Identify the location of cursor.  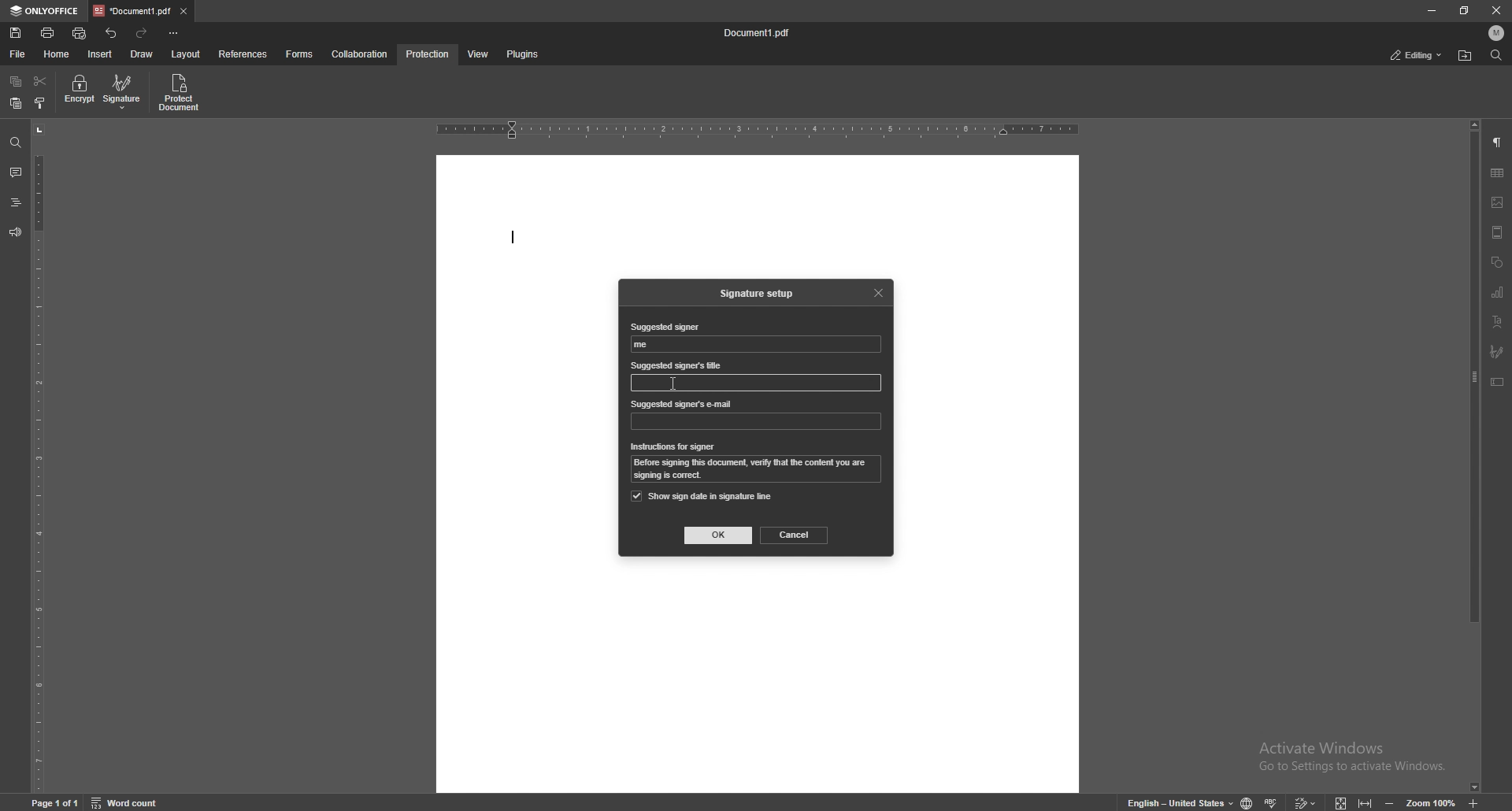
(673, 383).